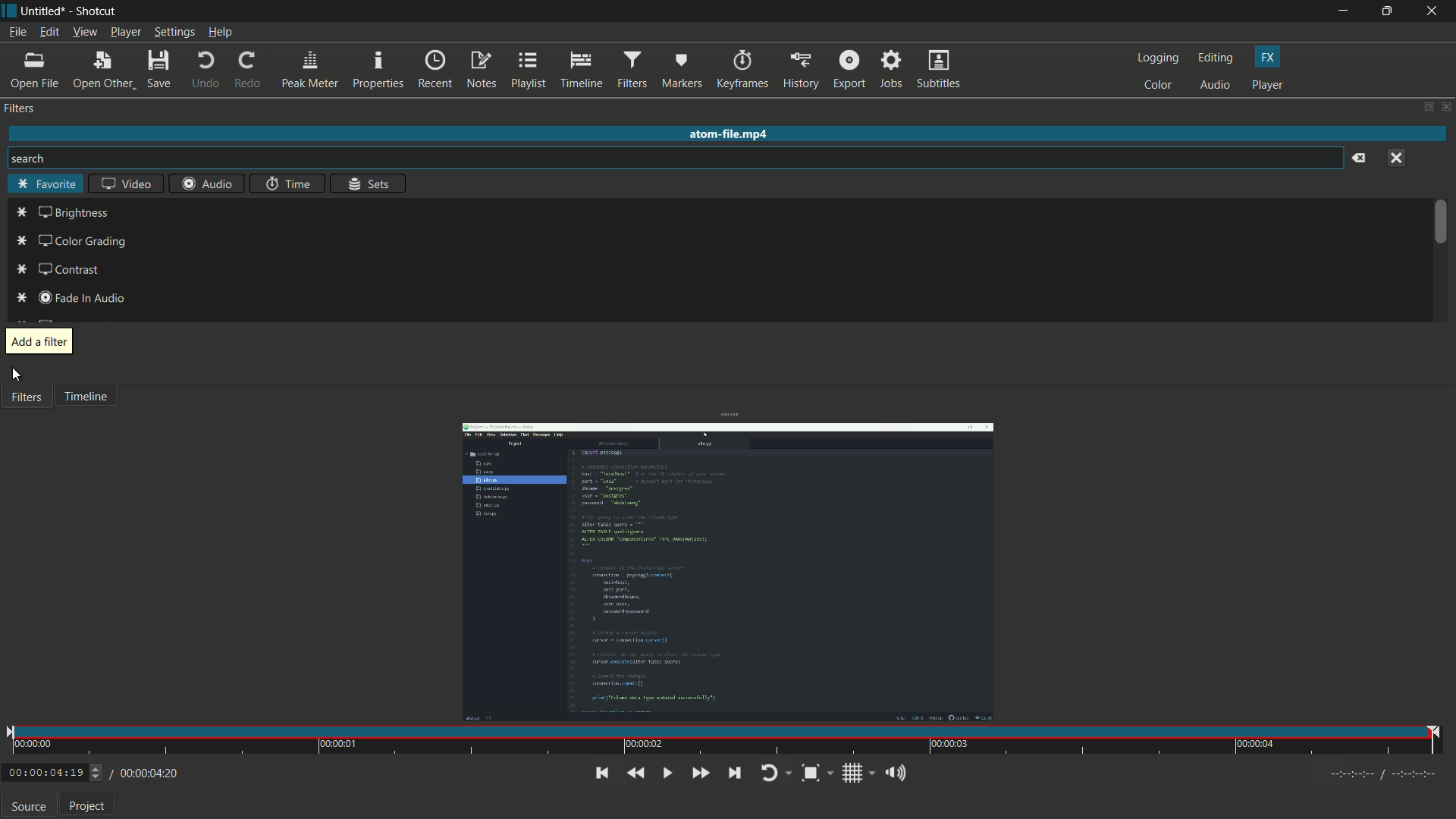 Image resolution: width=1456 pixels, height=819 pixels. Describe the element at coordinates (729, 132) in the screenshot. I see `atom-file.mp4 (file name)` at that location.